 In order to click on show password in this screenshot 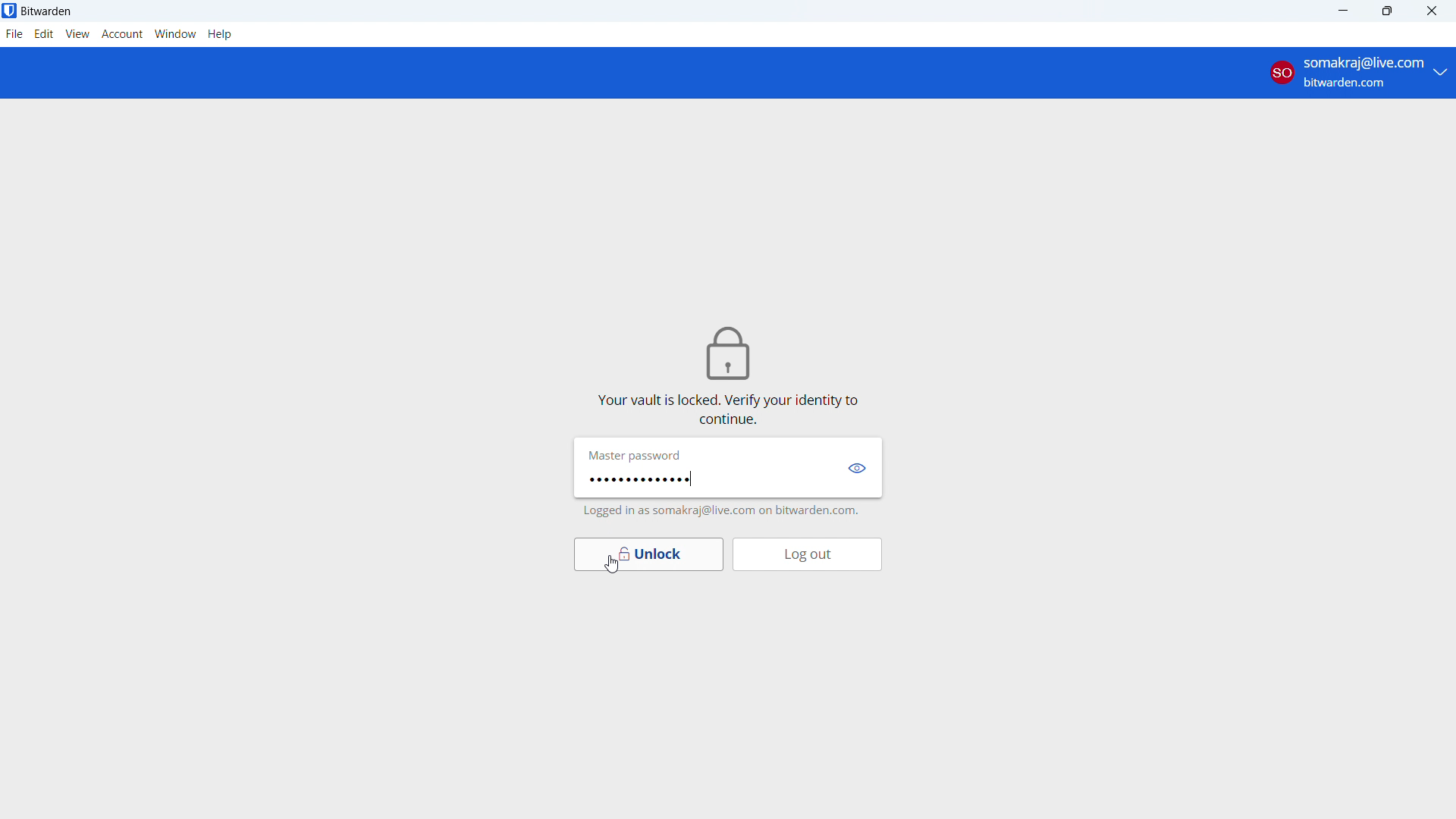, I will do `click(858, 467)`.